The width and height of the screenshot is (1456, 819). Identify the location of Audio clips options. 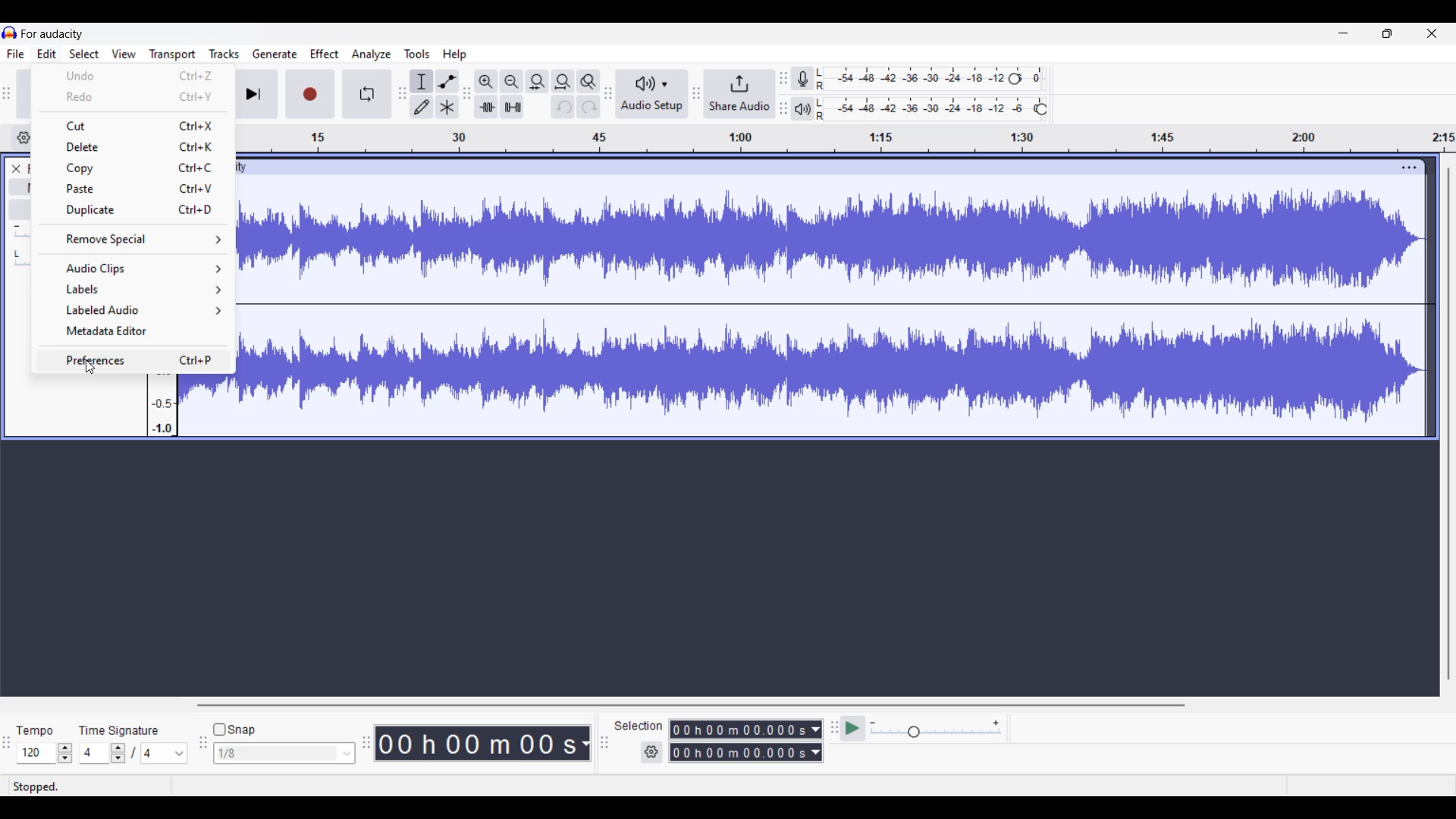
(133, 268).